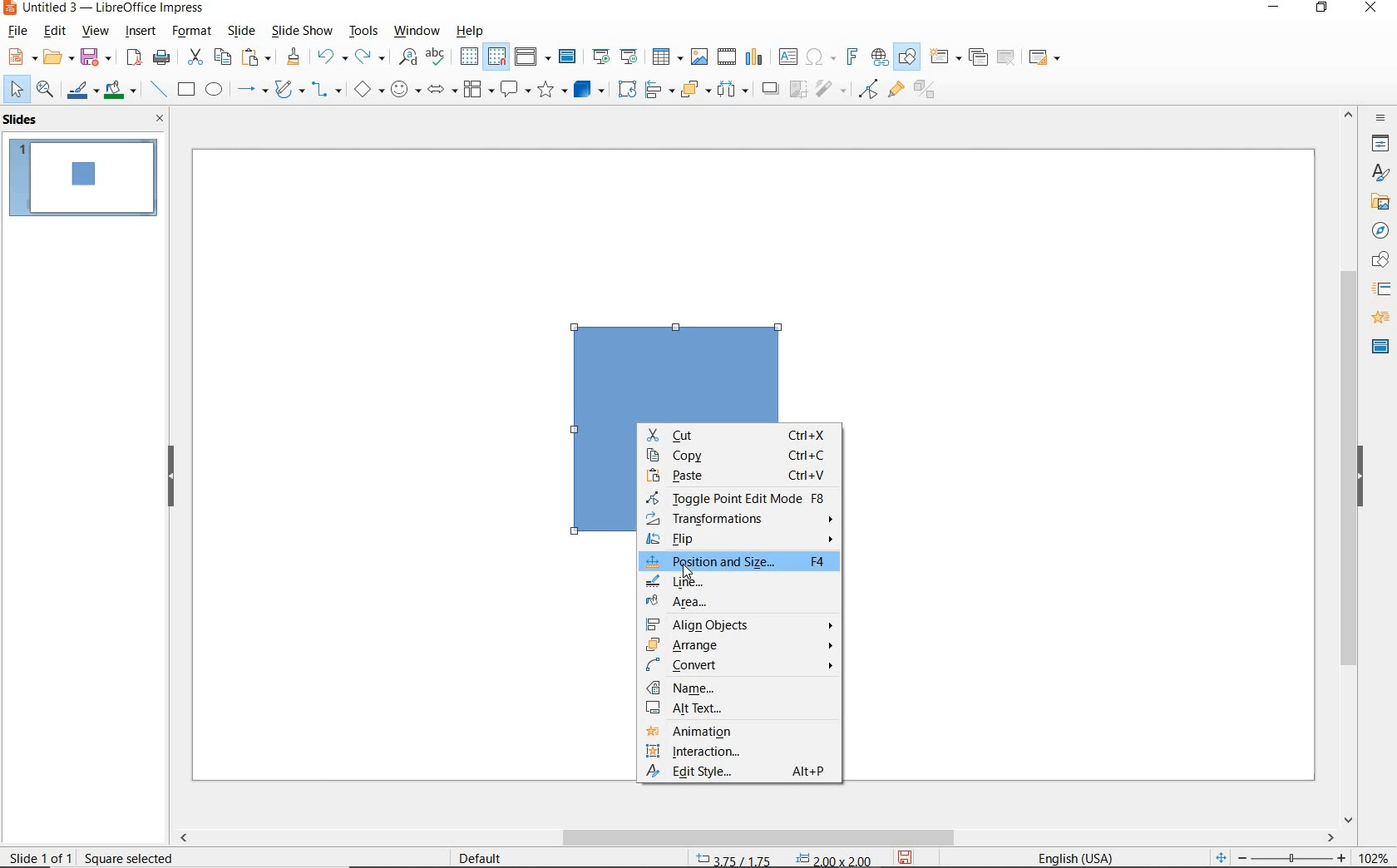 This screenshot has width=1397, height=868. What do you see at coordinates (734, 436) in the screenshot?
I see `CUT` at bounding box center [734, 436].